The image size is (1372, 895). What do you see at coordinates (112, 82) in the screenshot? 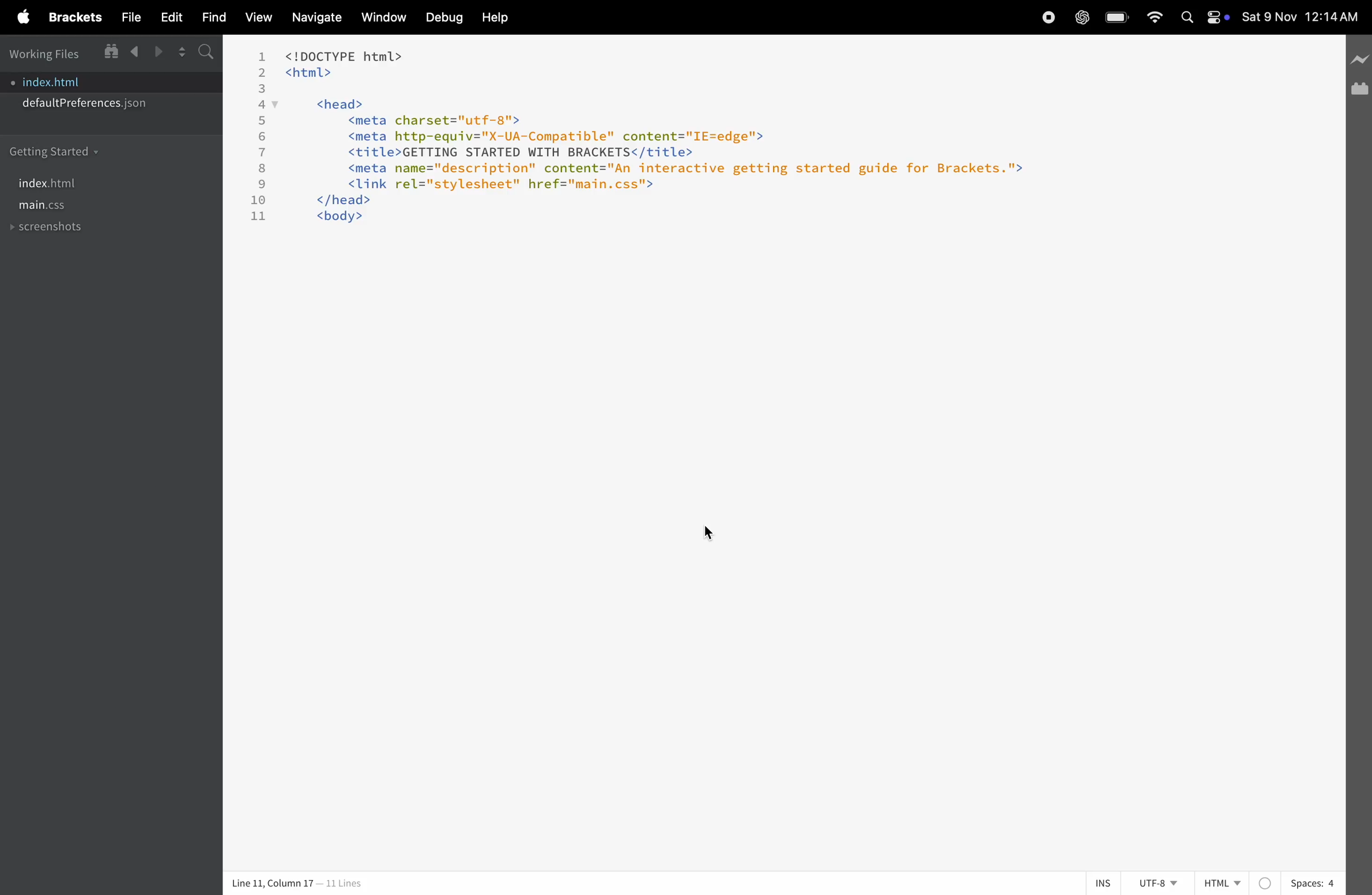
I see `index.html` at bounding box center [112, 82].